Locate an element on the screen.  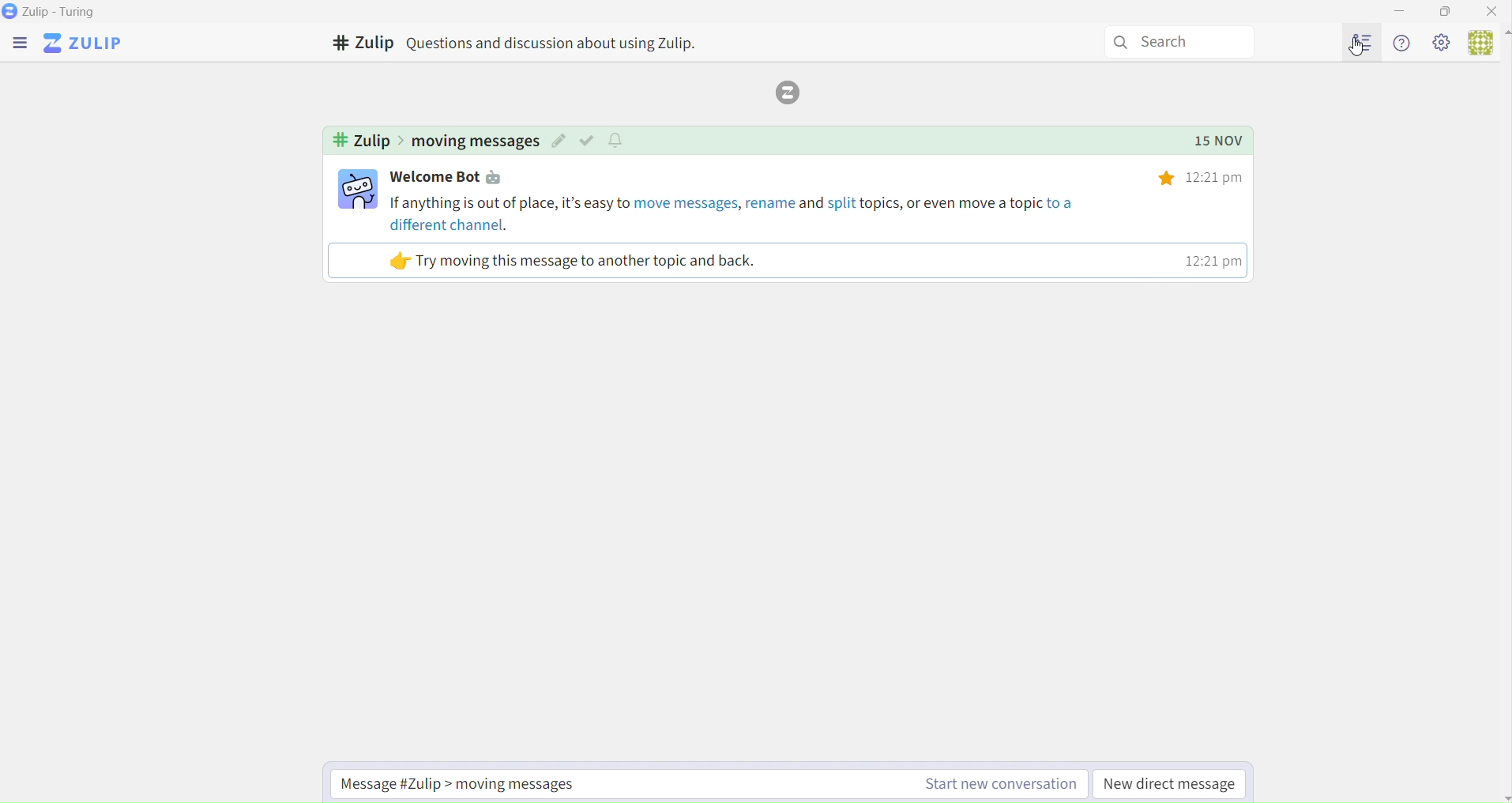
Users is located at coordinates (1360, 43).